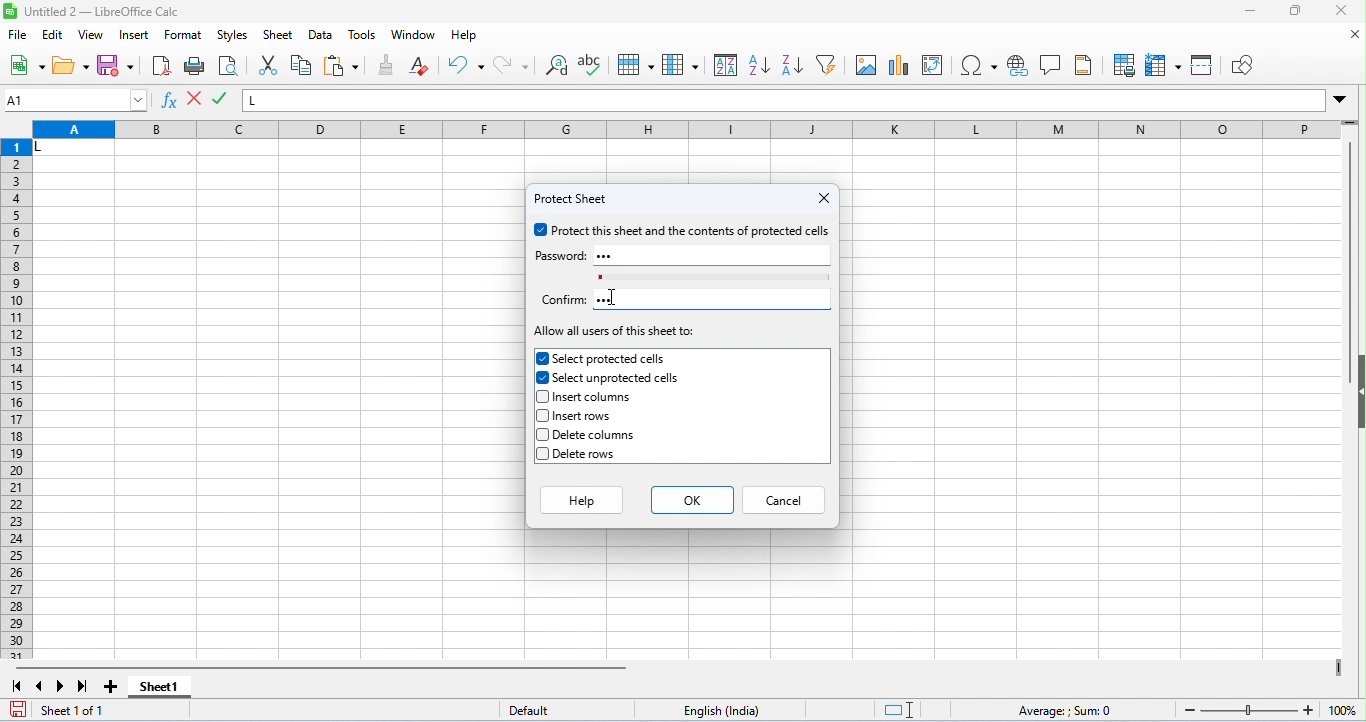 The image size is (1366, 722). Describe the element at coordinates (1266, 708) in the screenshot. I see `zoom` at that location.